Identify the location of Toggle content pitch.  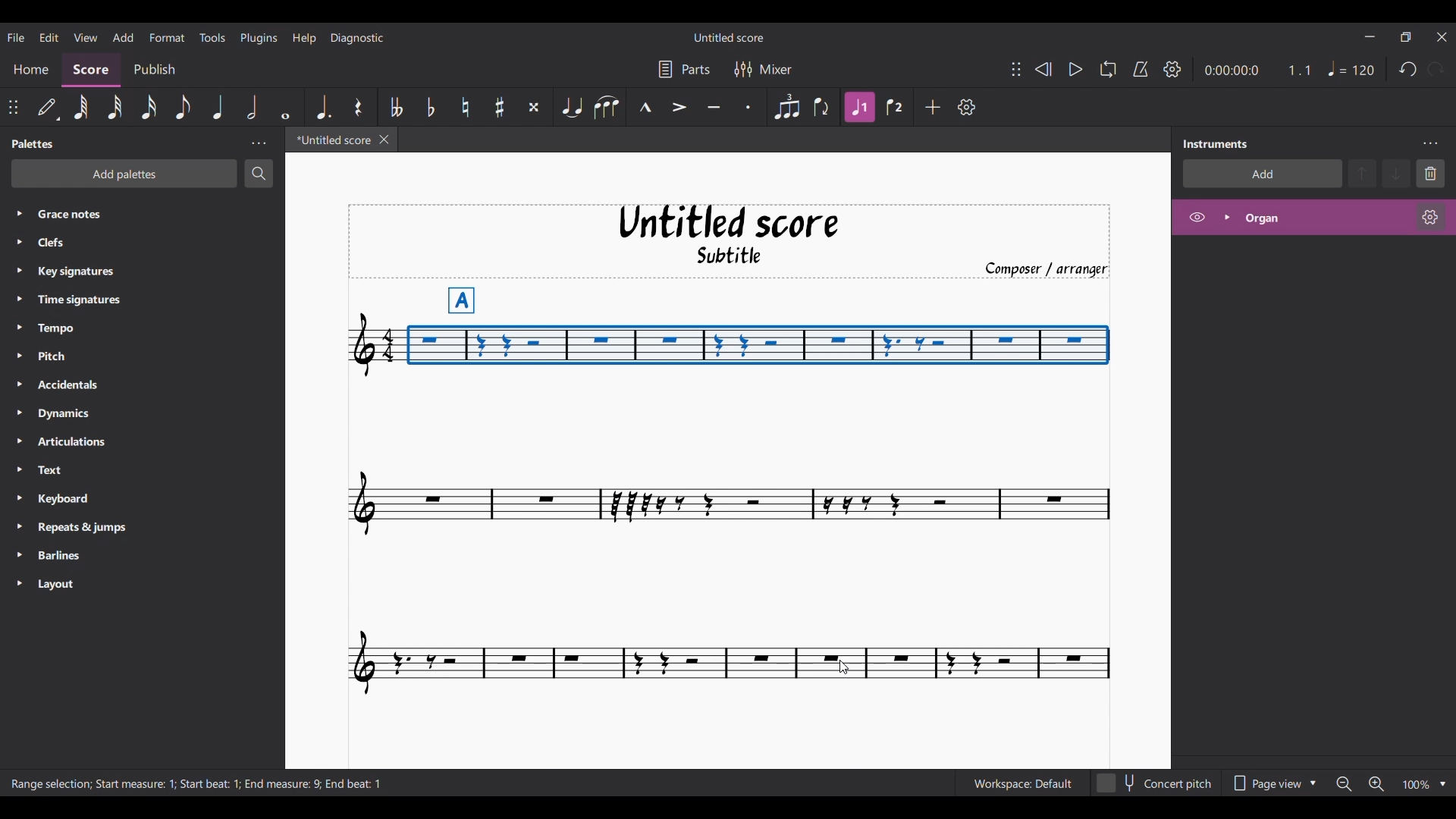
(1156, 783).